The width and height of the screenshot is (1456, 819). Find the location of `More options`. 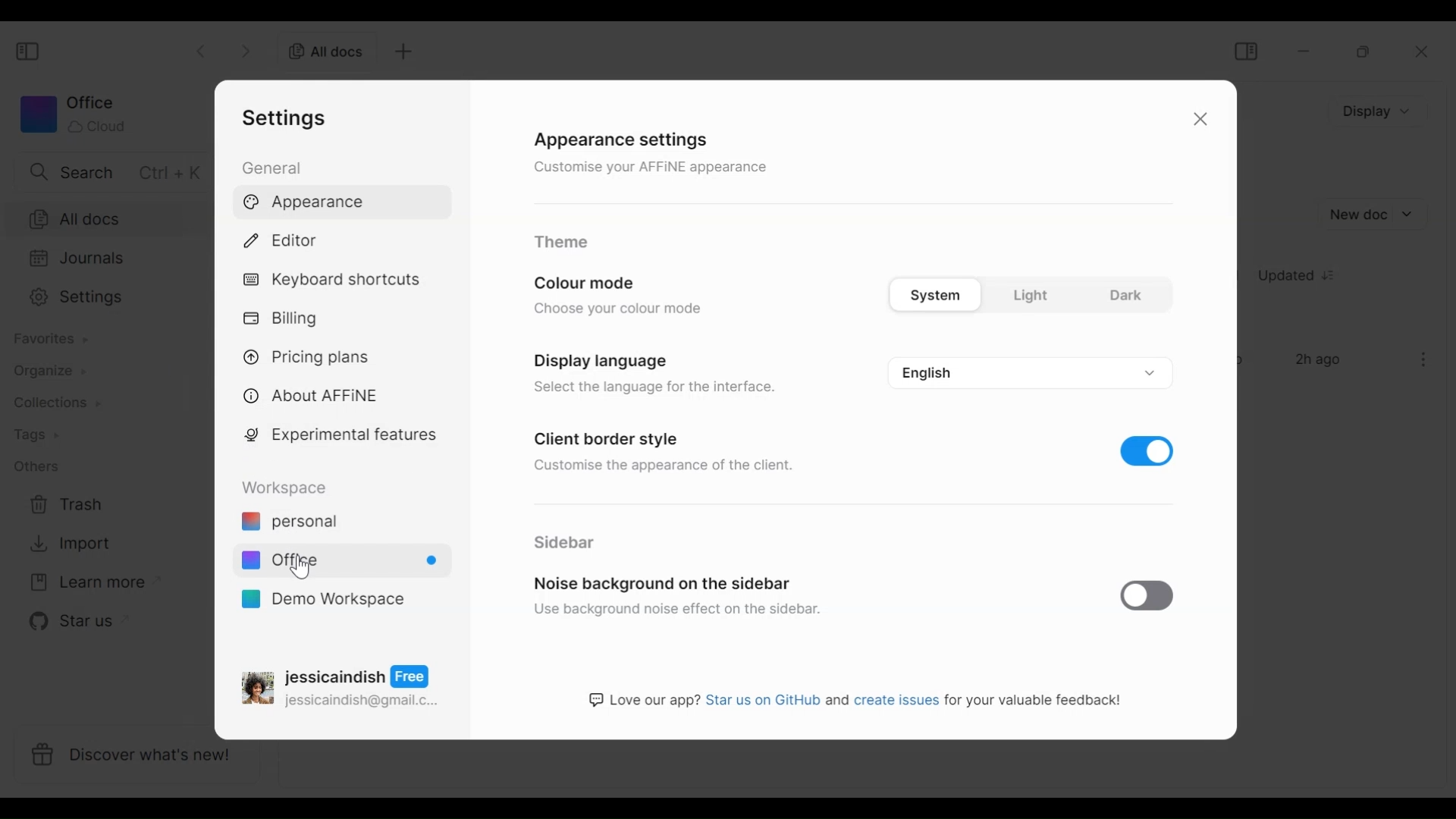

More options is located at coordinates (1424, 359).